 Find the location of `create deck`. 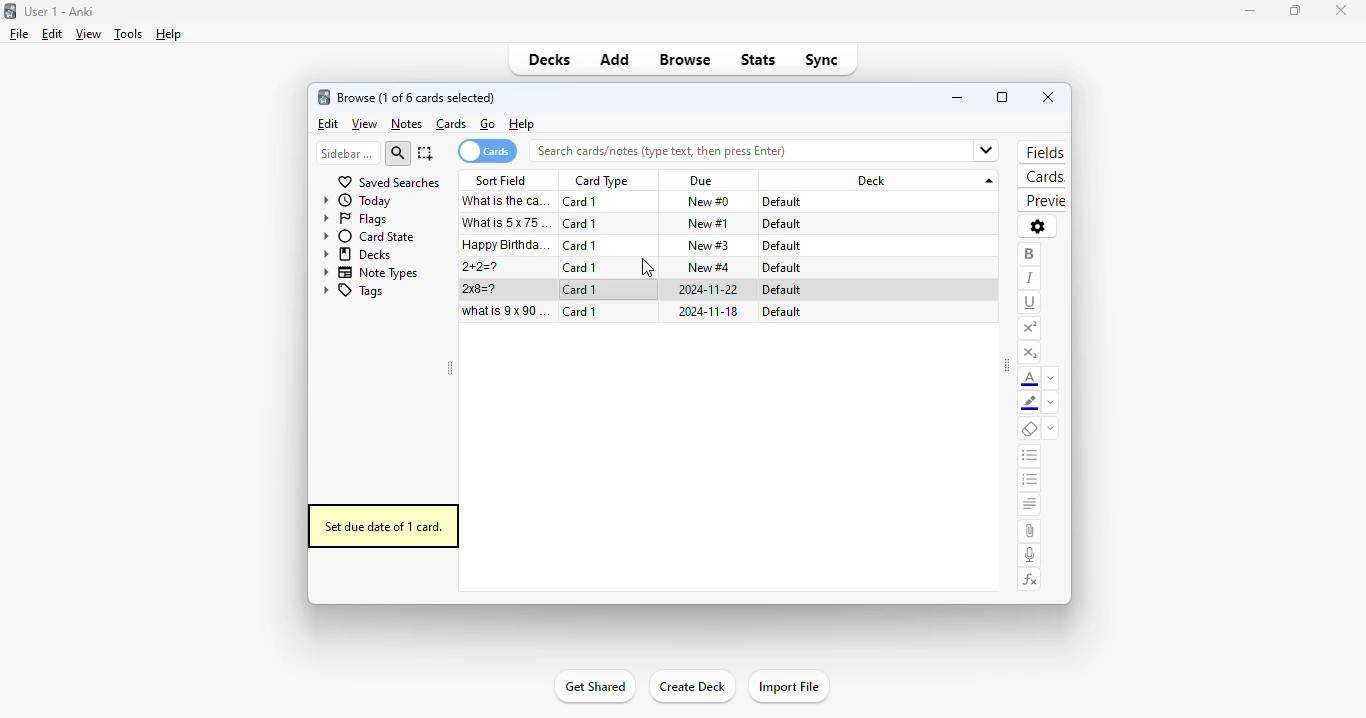

create deck is located at coordinates (692, 687).